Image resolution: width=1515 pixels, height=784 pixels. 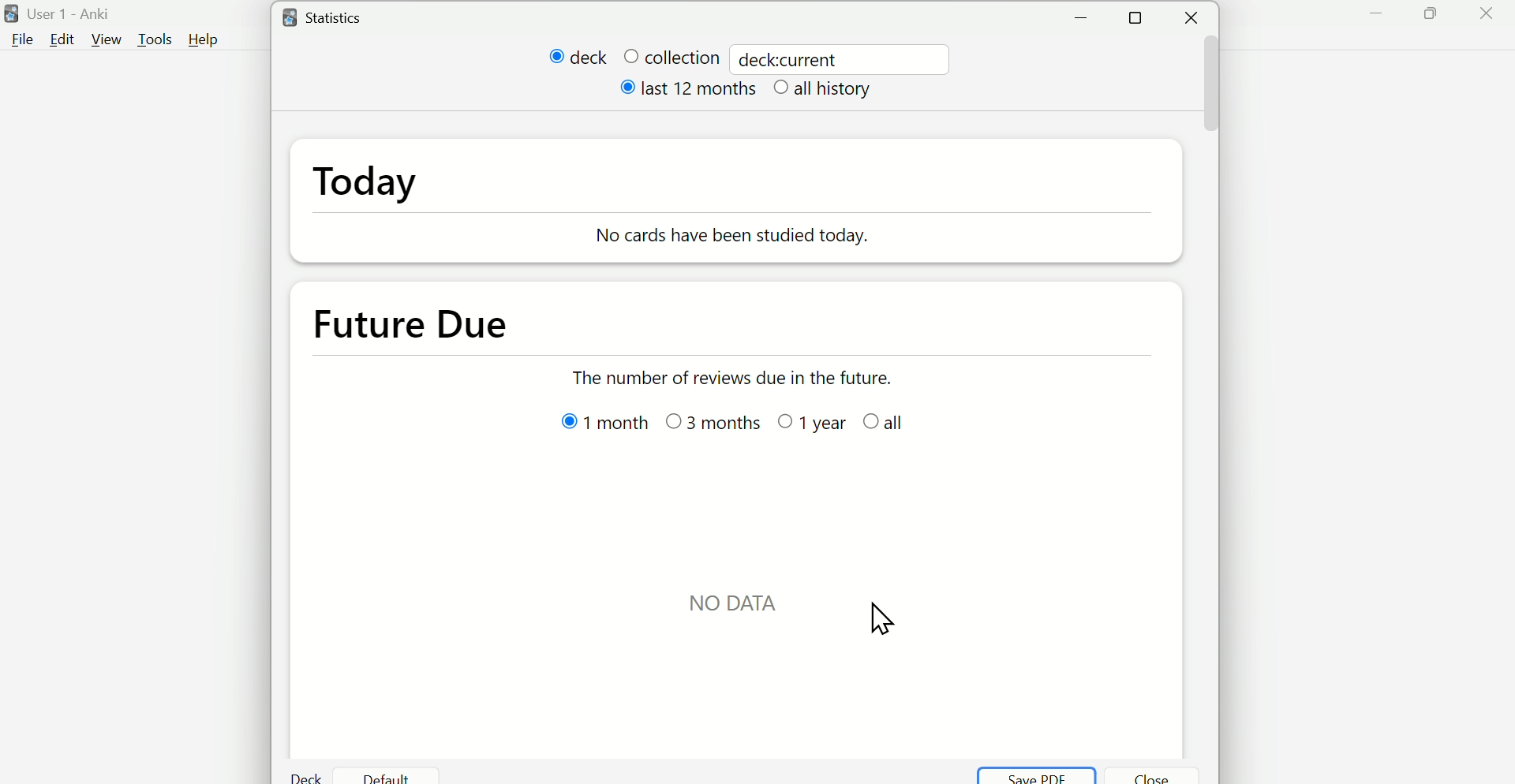 What do you see at coordinates (1030, 774) in the screenshot?
I see `Save PDF` at bounding box center [1030, 774].